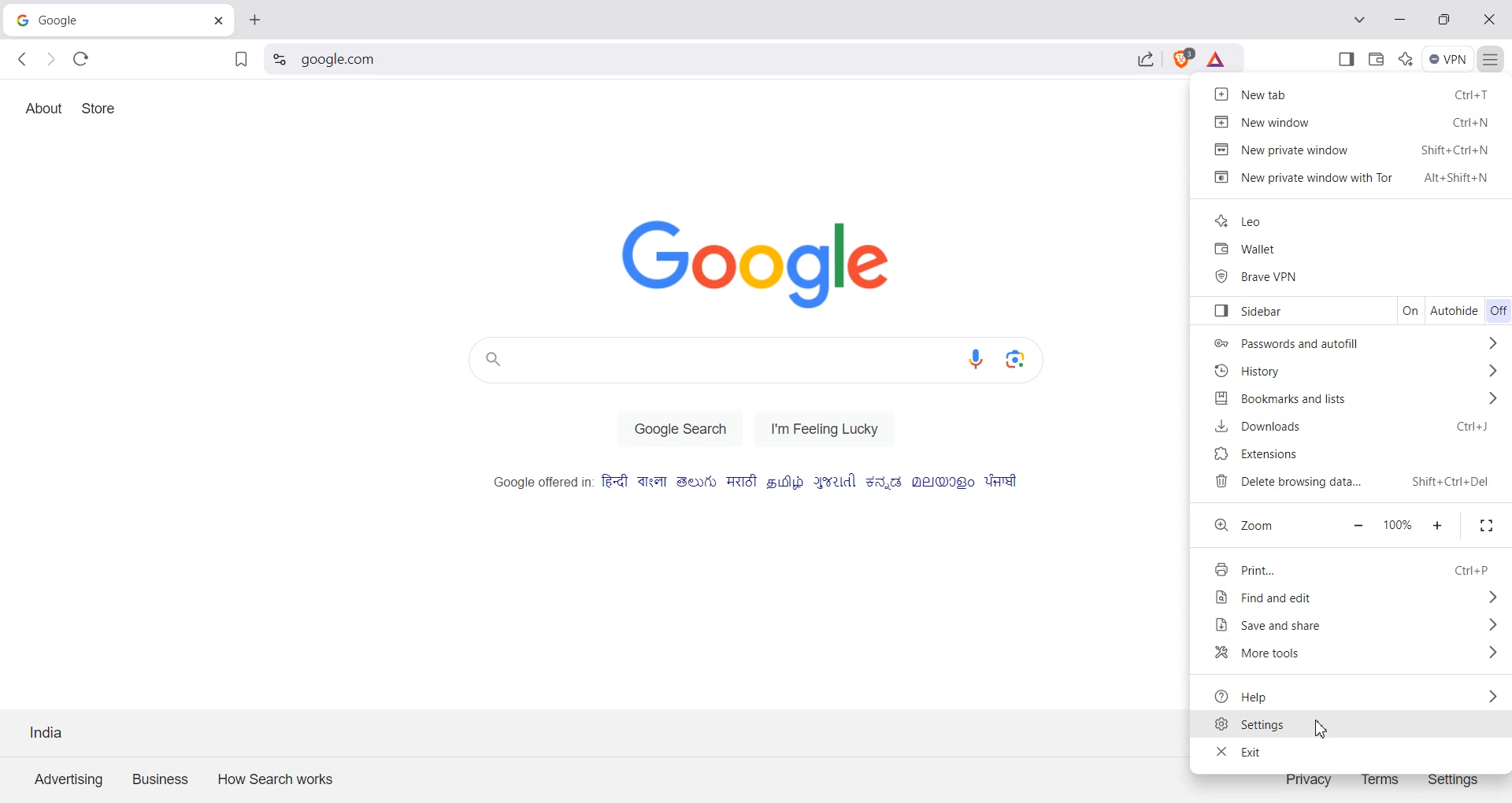  Describe the element at coordinates (240, 61) in the screenshot. I see `Bookmark` at that location.